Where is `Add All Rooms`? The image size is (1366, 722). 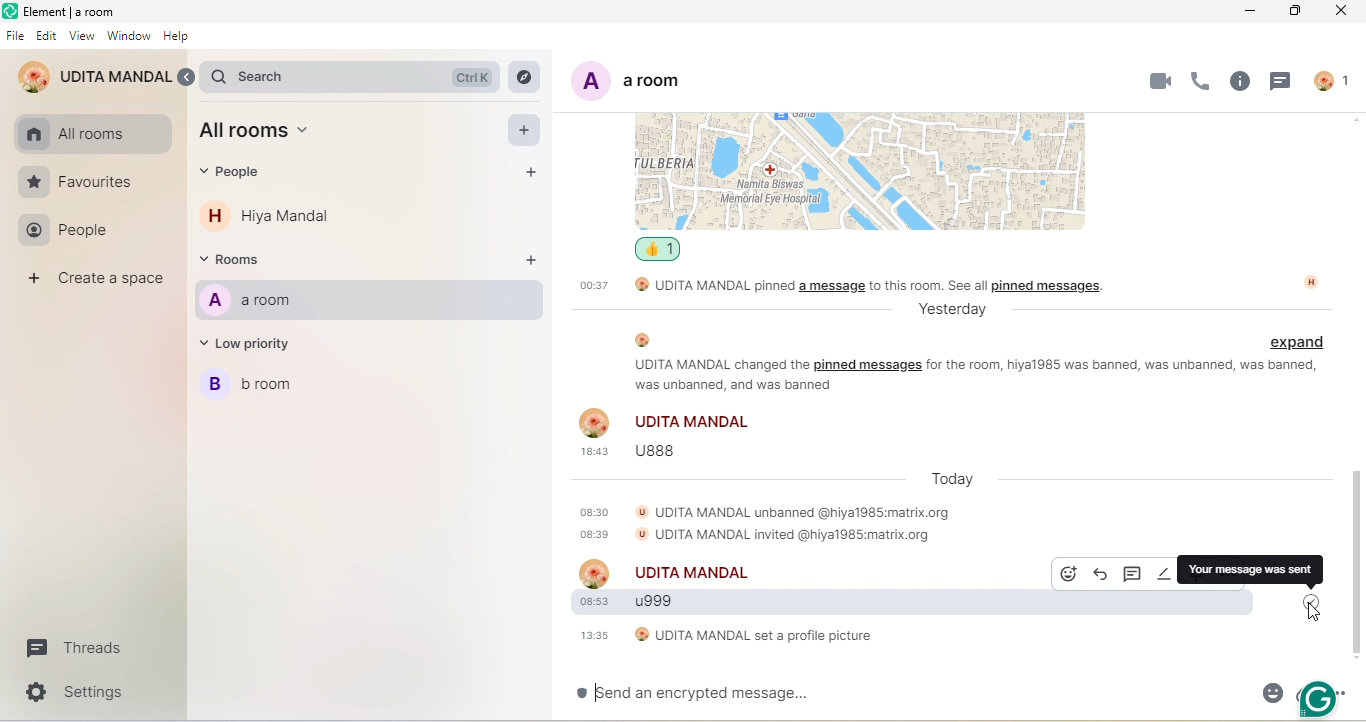 Add All Rooms is located at coordinates (527, 132).